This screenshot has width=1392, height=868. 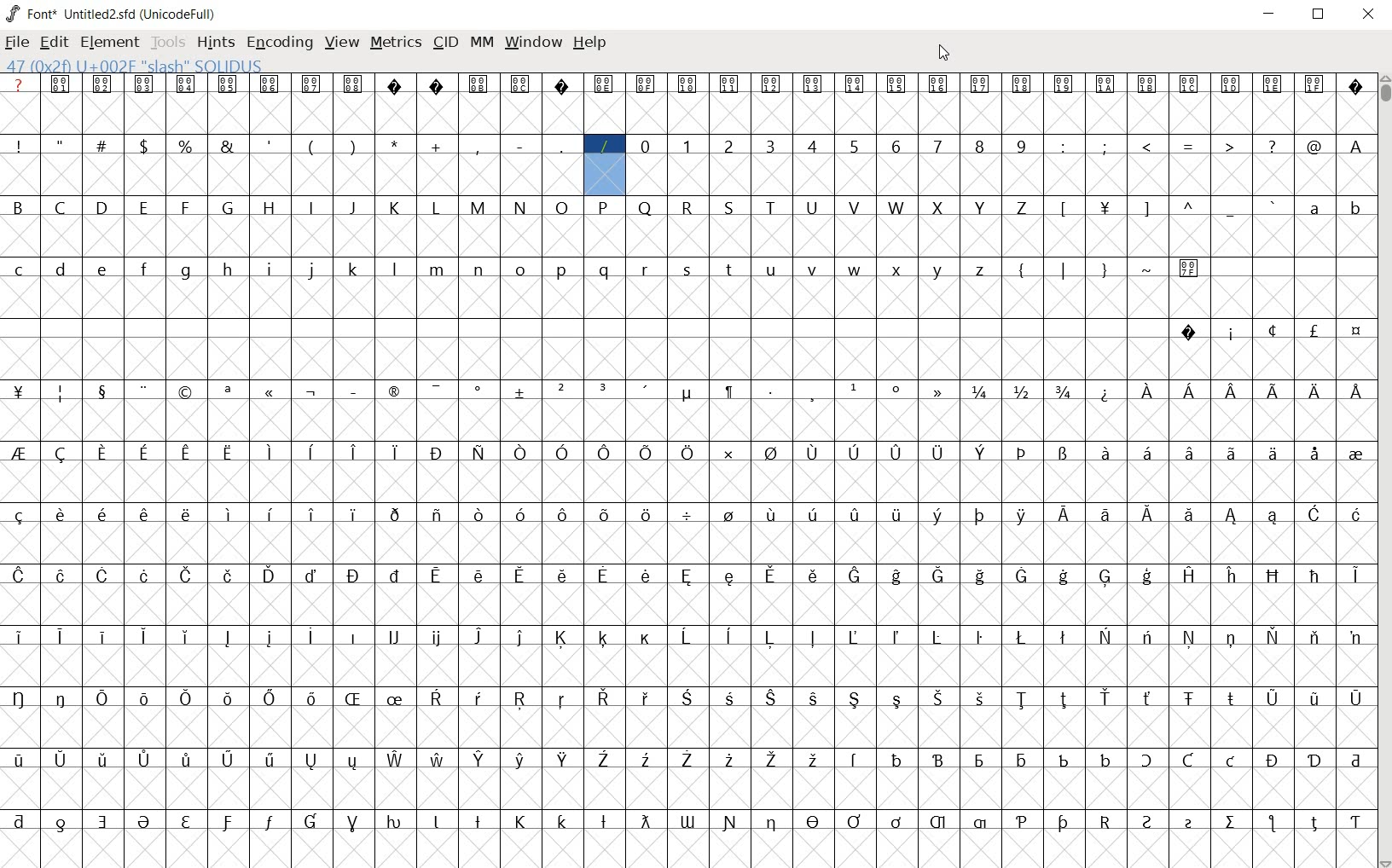 What do you see at coordinates (101, 698) in the screenshot?
I see `glyph` at bounding box center [101, 698].